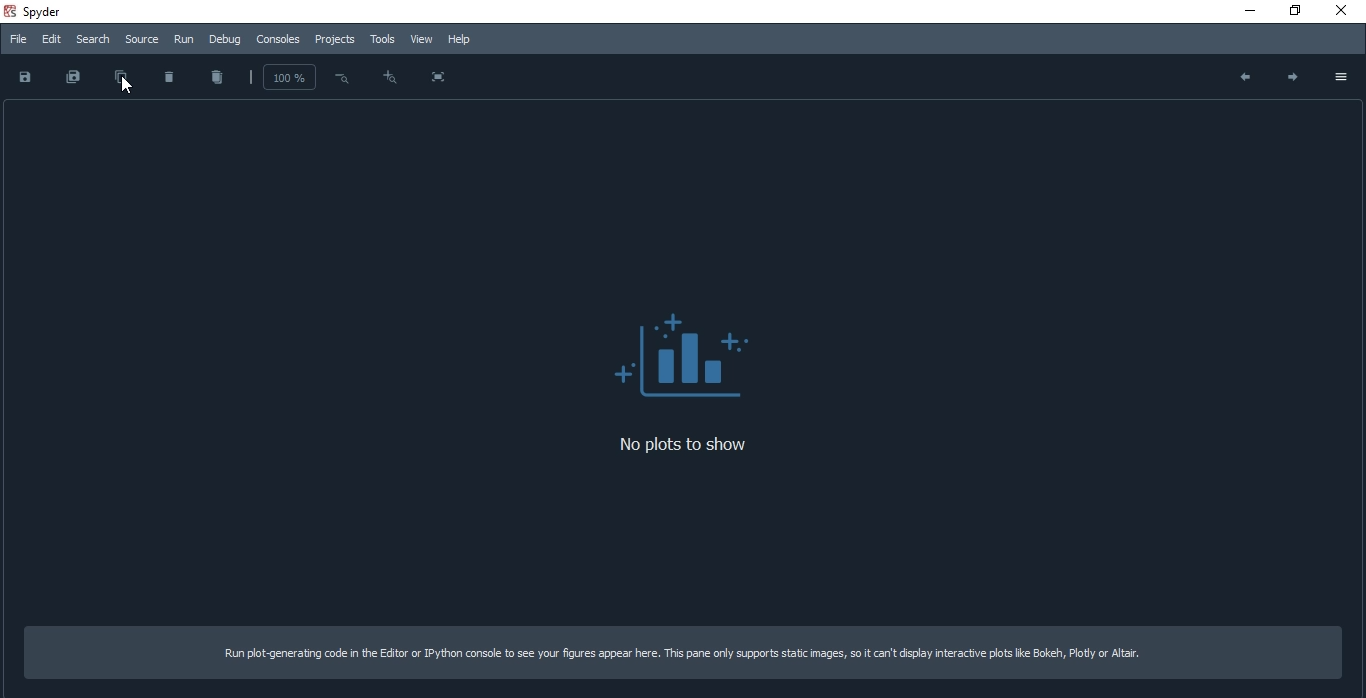 The width and height of the screenshot is (1366, 698). I want to click on Debug, so click(224, 41).